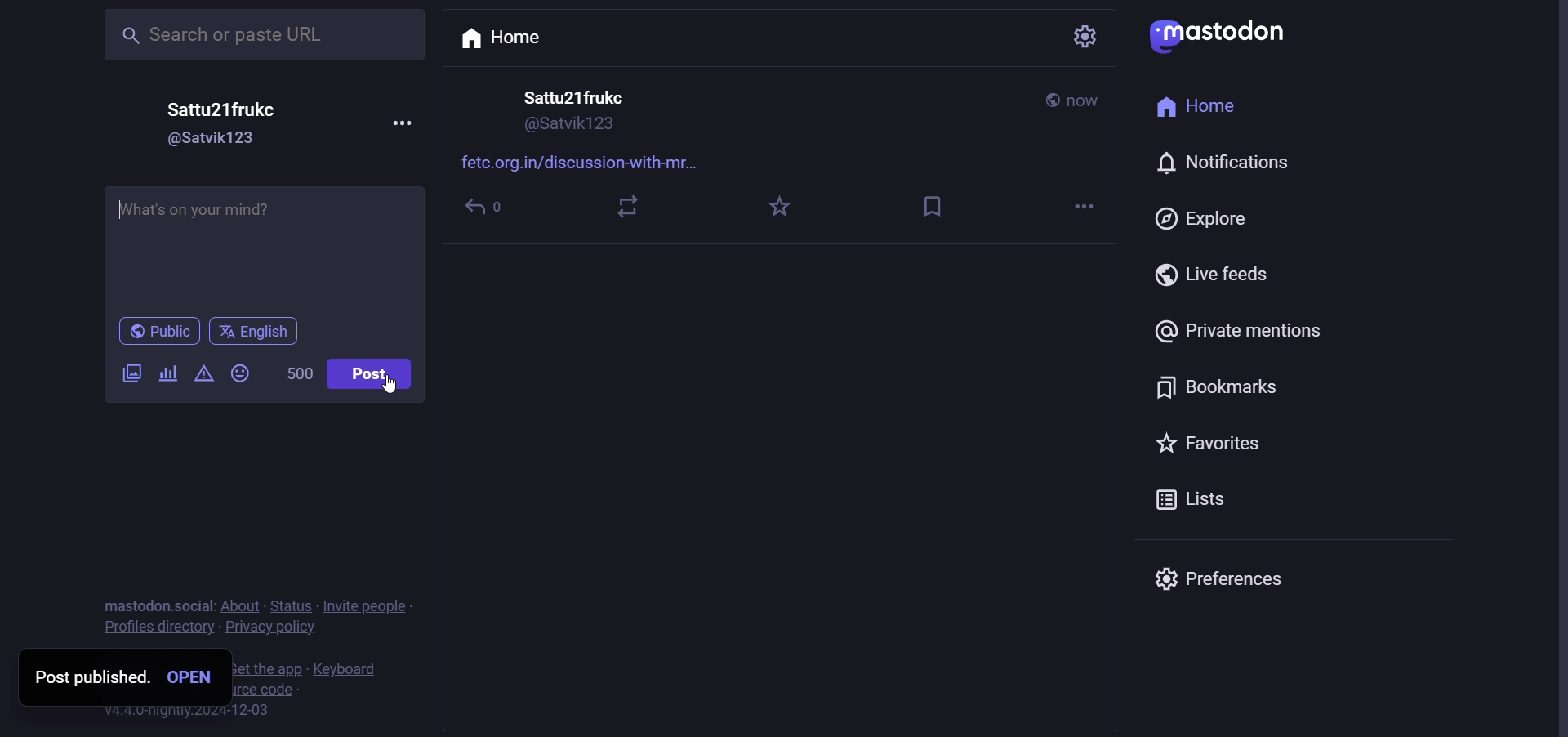  What do you see at coordinates (255, 332) in the screenshot?
I see `English` at bounding box center [255, 332].